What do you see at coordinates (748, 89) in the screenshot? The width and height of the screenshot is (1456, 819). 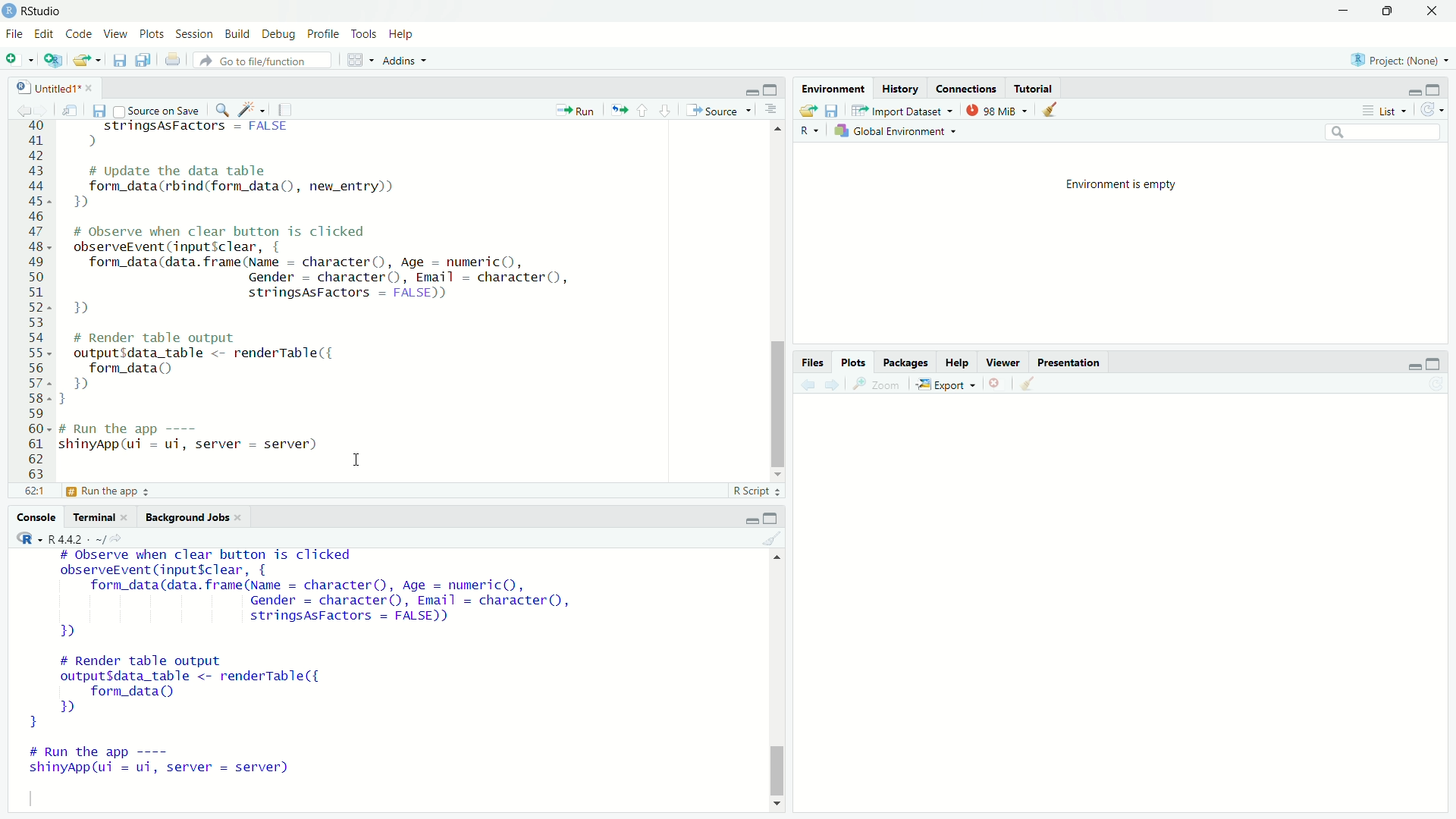 I see `minimize` at bounding box center [748, 89].